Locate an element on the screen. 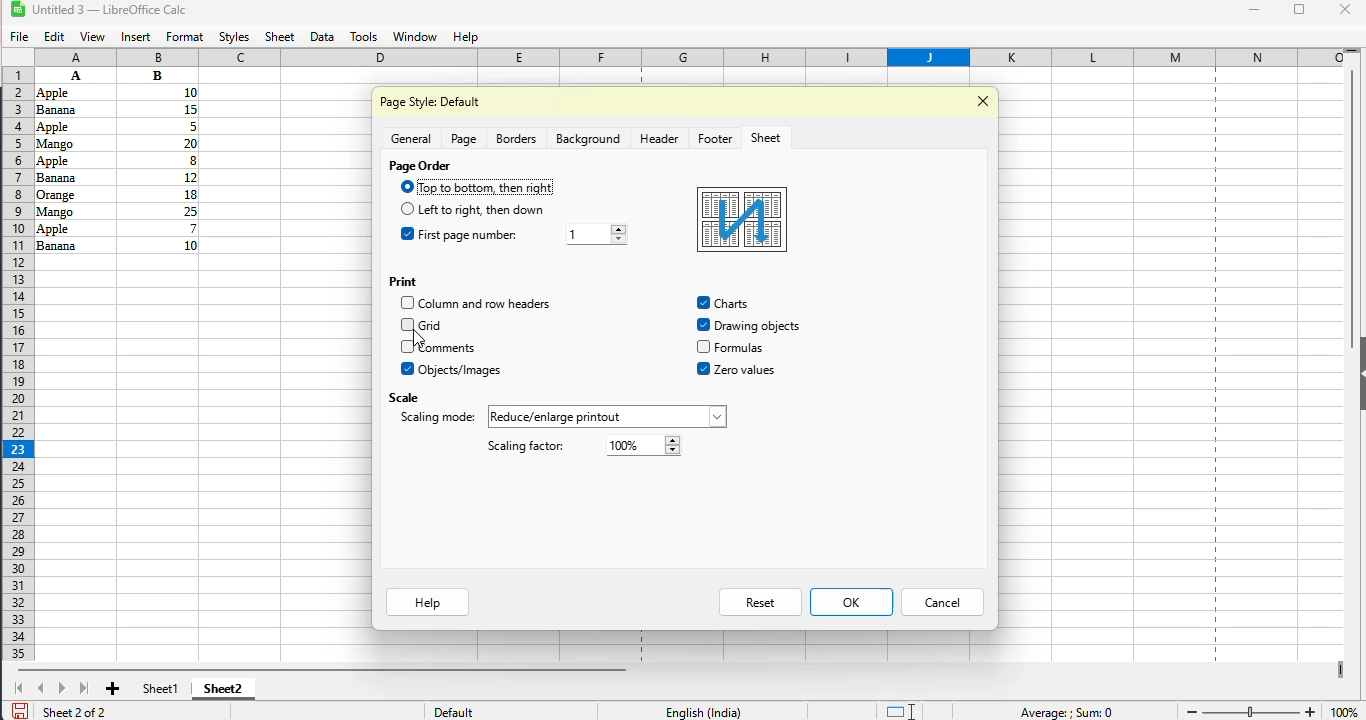  Untitled 3 -- (LibreOffice Calc) is located at coordinates (114, 11).